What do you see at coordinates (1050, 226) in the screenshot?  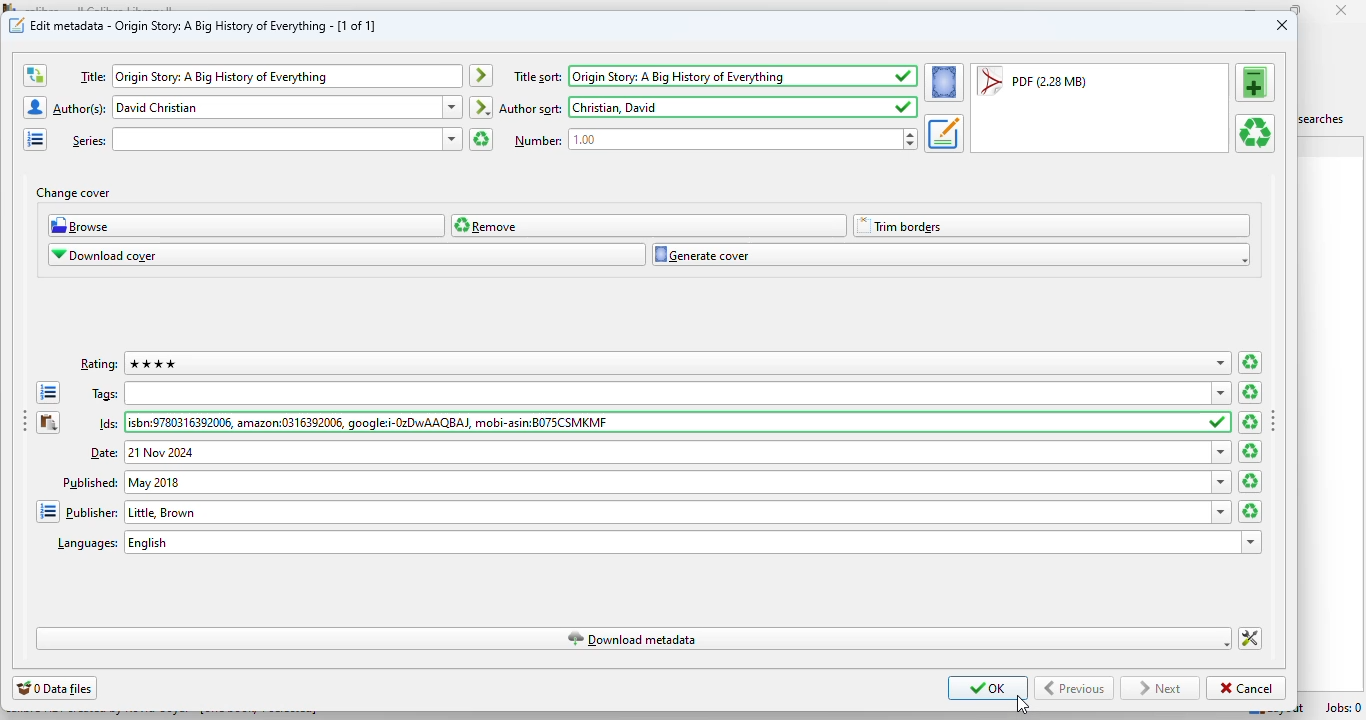 I see `trim borders` at bounding box center [1050, 226].